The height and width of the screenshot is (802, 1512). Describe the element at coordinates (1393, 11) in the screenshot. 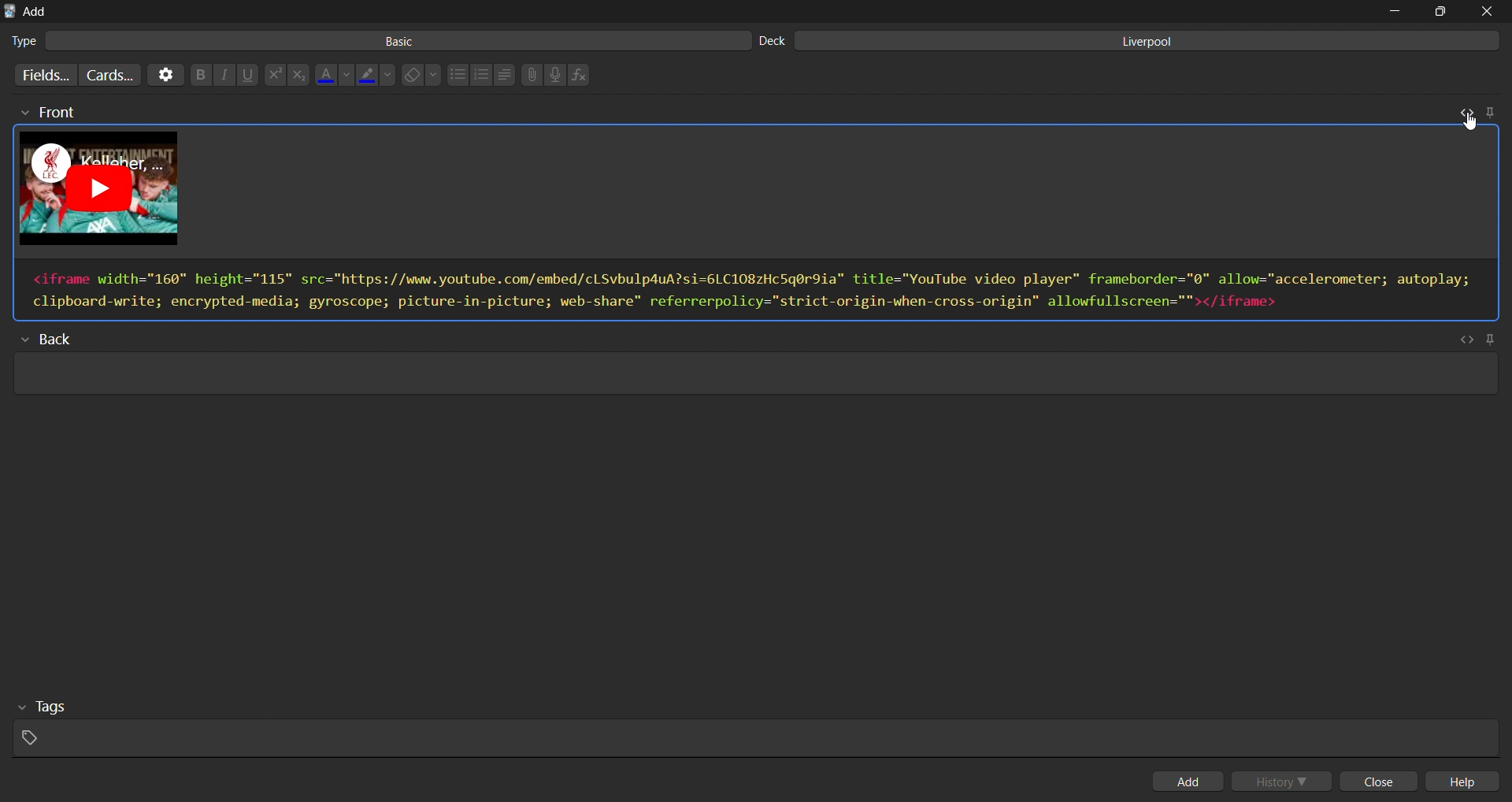

I see `minimize` at that location.